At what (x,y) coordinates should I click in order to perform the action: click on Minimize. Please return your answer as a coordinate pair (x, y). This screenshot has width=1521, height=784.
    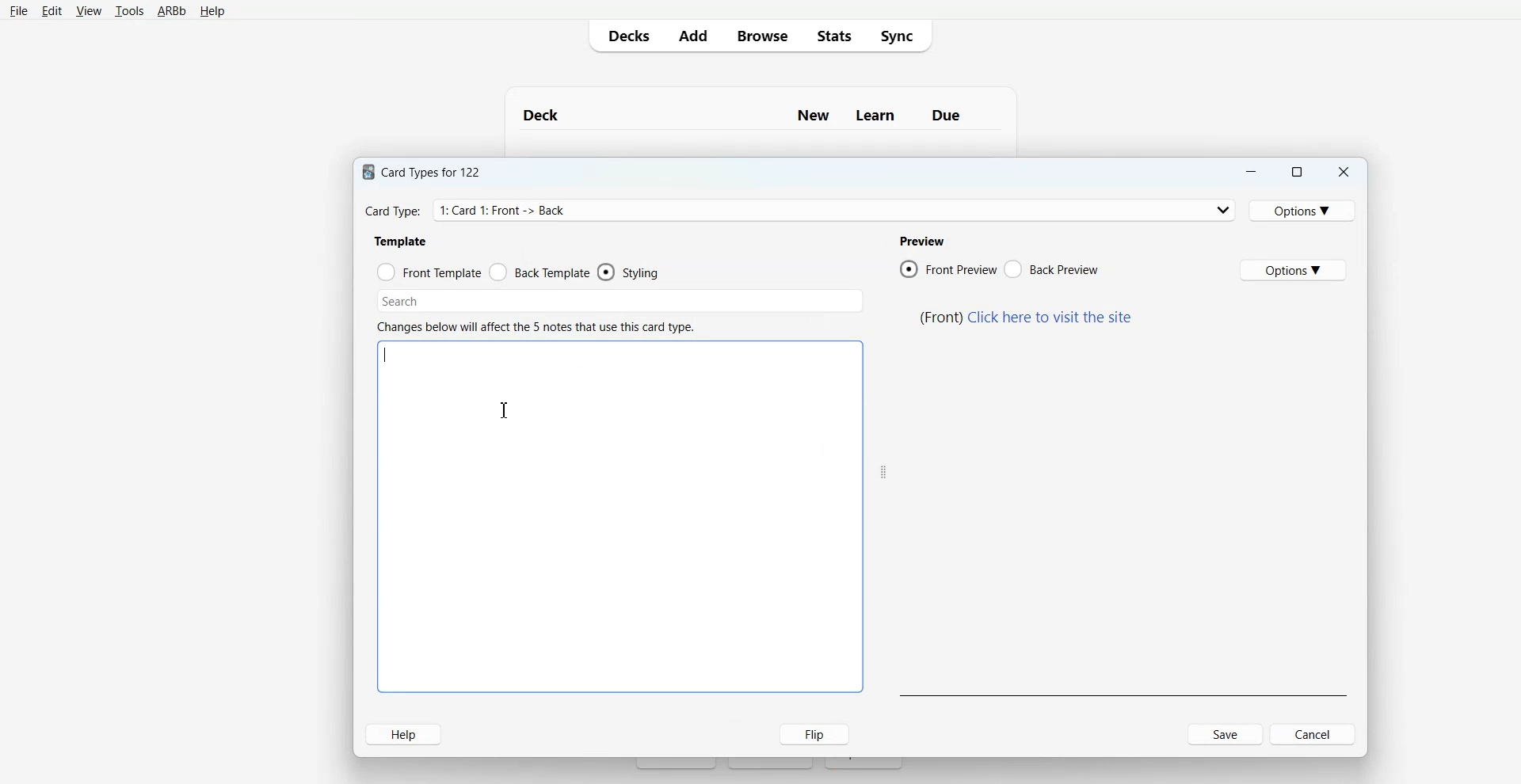
    Looking at the image, I should click on (1251, 170).